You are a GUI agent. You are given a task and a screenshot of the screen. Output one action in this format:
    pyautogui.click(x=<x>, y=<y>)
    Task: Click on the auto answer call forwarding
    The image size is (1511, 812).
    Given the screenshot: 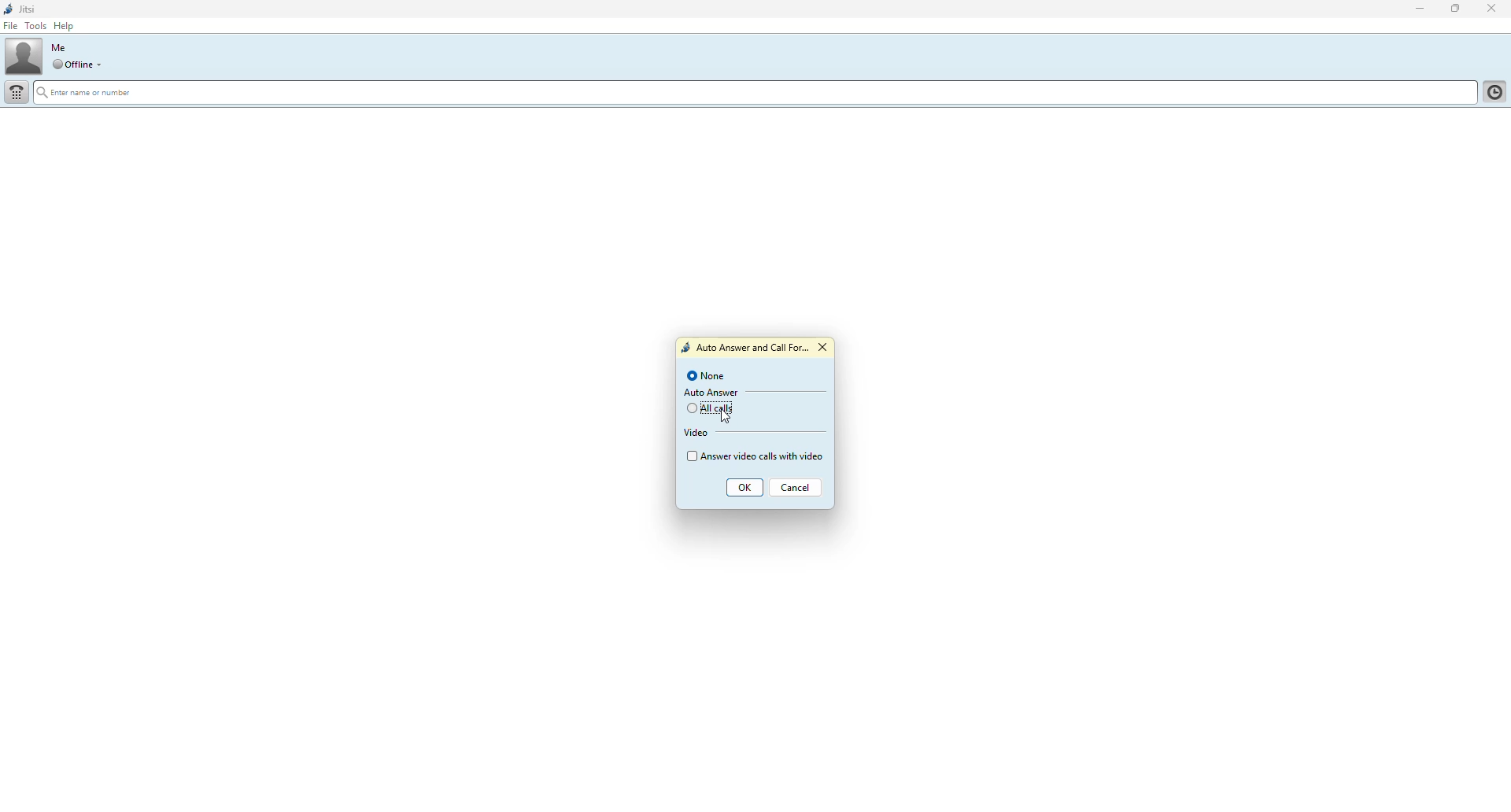 What is the action you would take?
    pyautogui.click(x=744, y=349)
    